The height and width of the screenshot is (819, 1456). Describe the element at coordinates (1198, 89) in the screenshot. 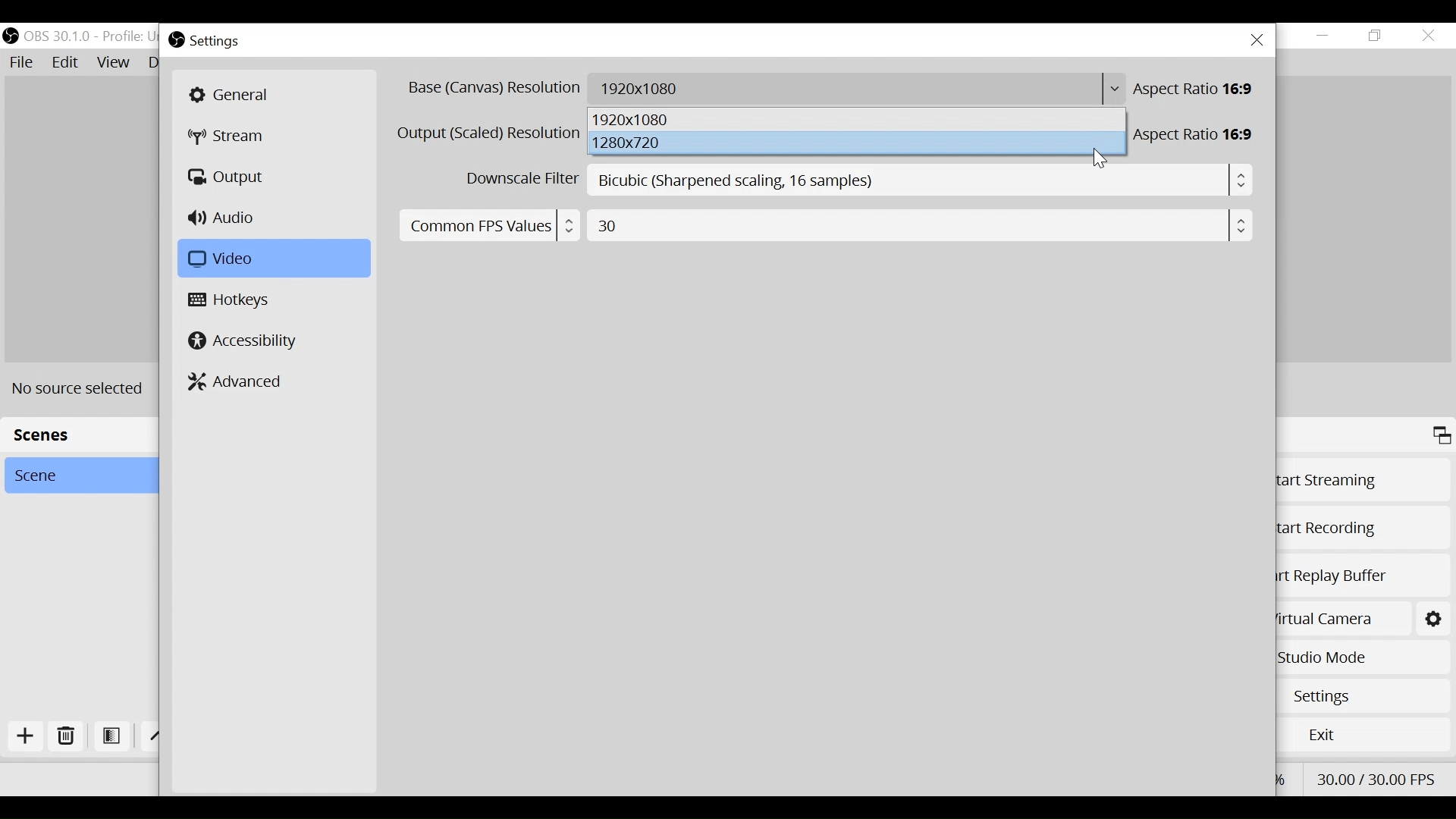

I see `Aspect Ratio 16:9` at that location.